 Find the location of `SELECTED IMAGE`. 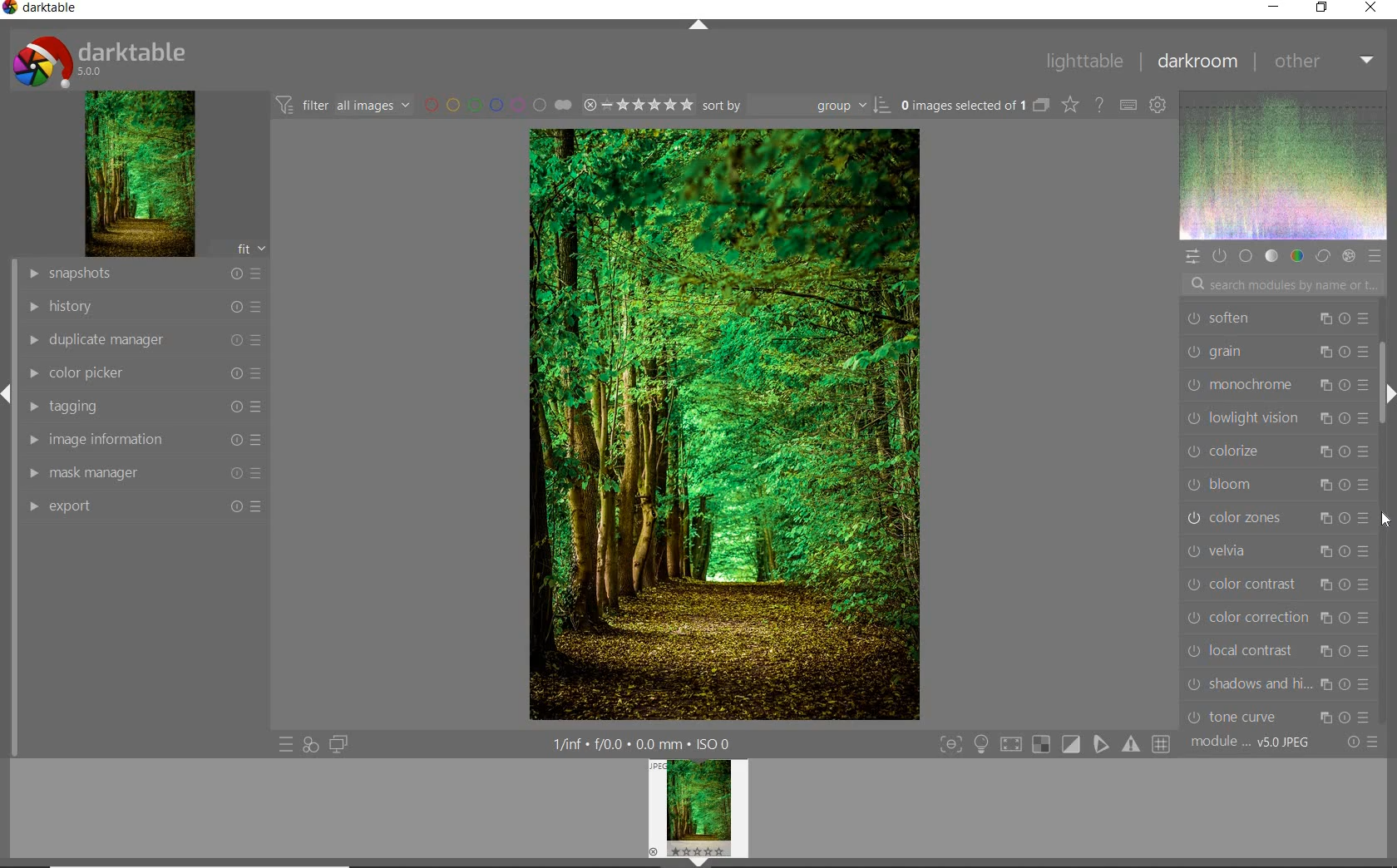

SELECTED IMAGE is located at coordinates (726, 423).